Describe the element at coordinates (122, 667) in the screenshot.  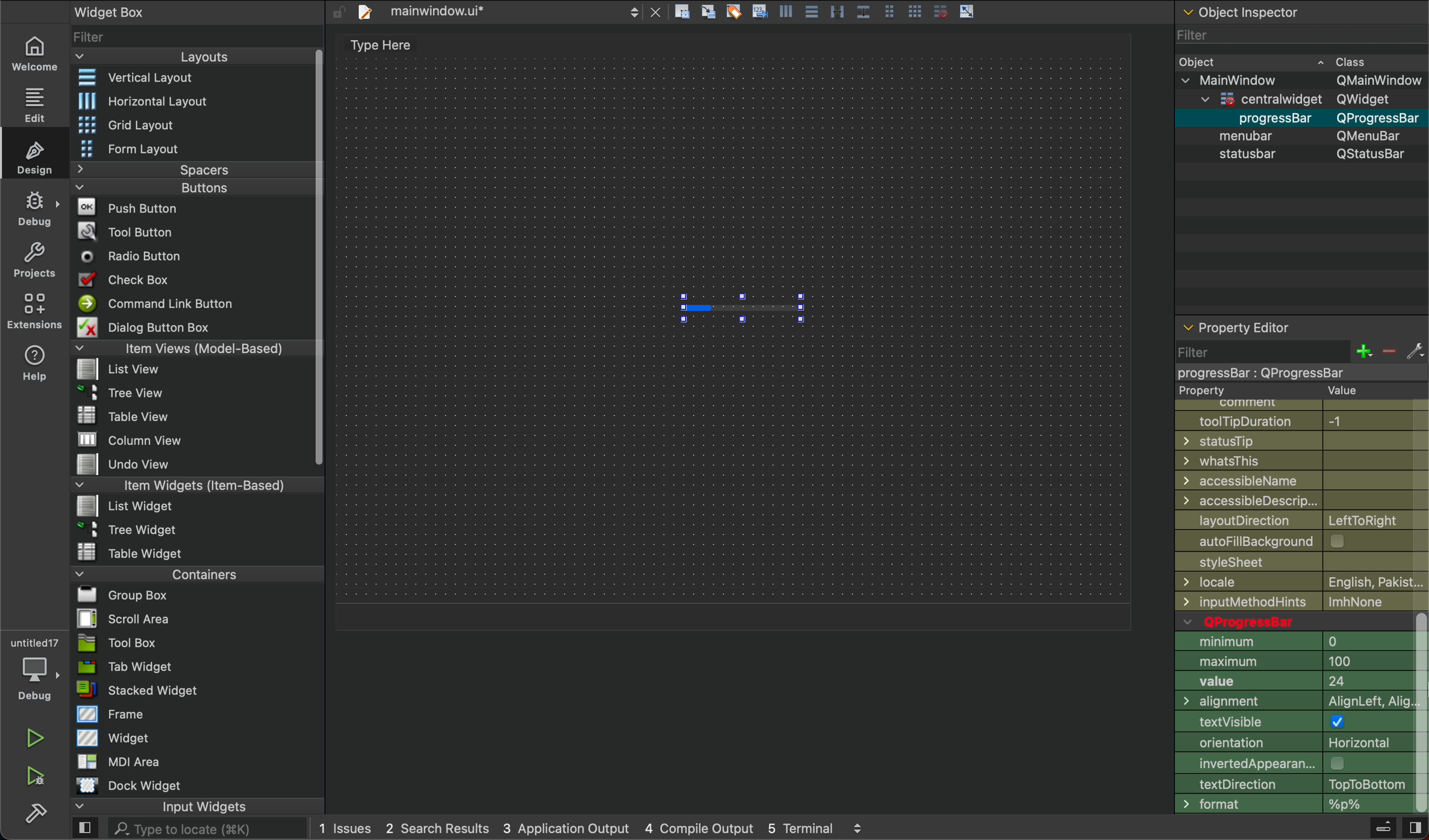
I see `Tab Widget` at that location.